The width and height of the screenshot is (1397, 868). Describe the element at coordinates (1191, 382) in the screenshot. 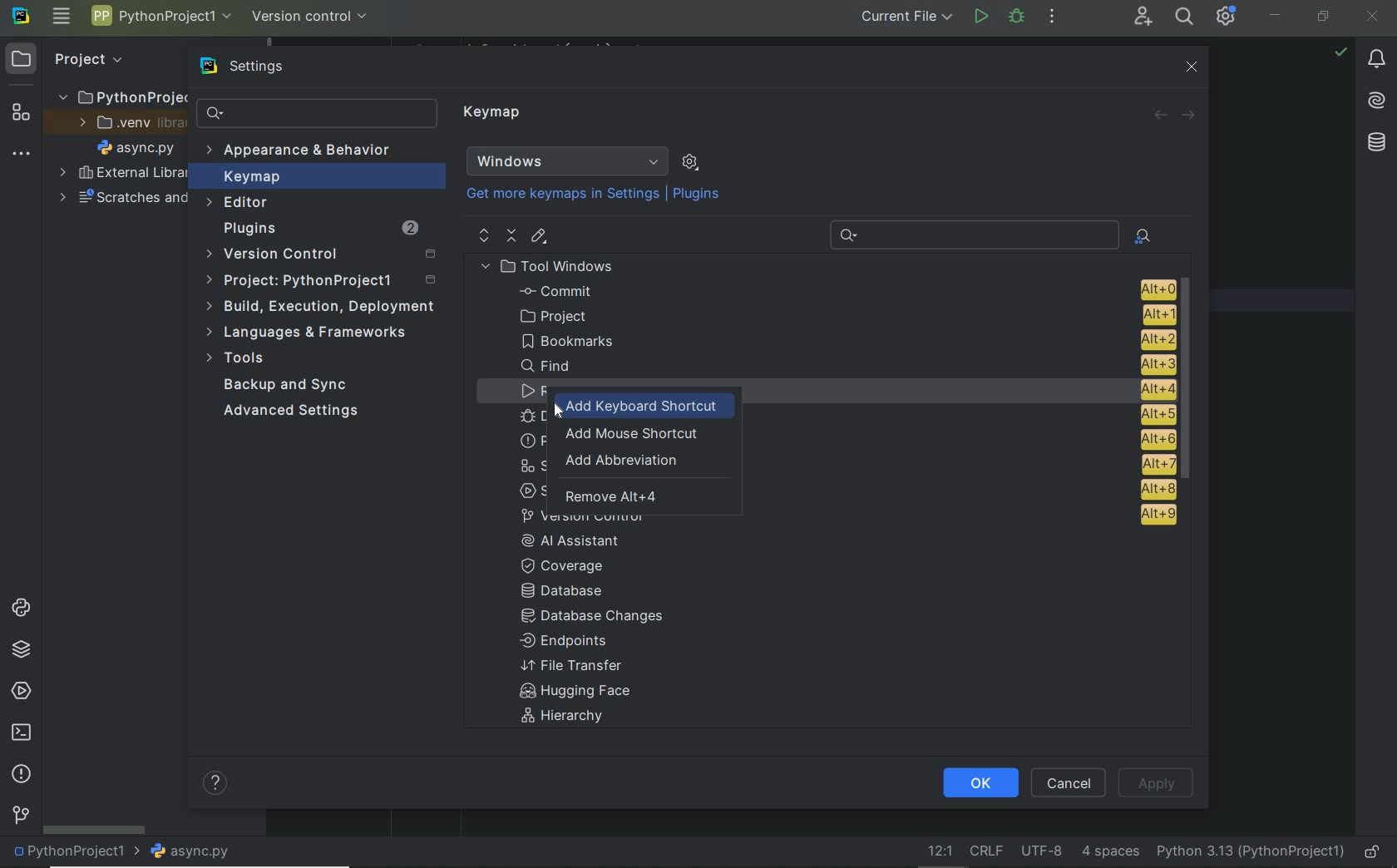

I see `scrollbar` at that location.